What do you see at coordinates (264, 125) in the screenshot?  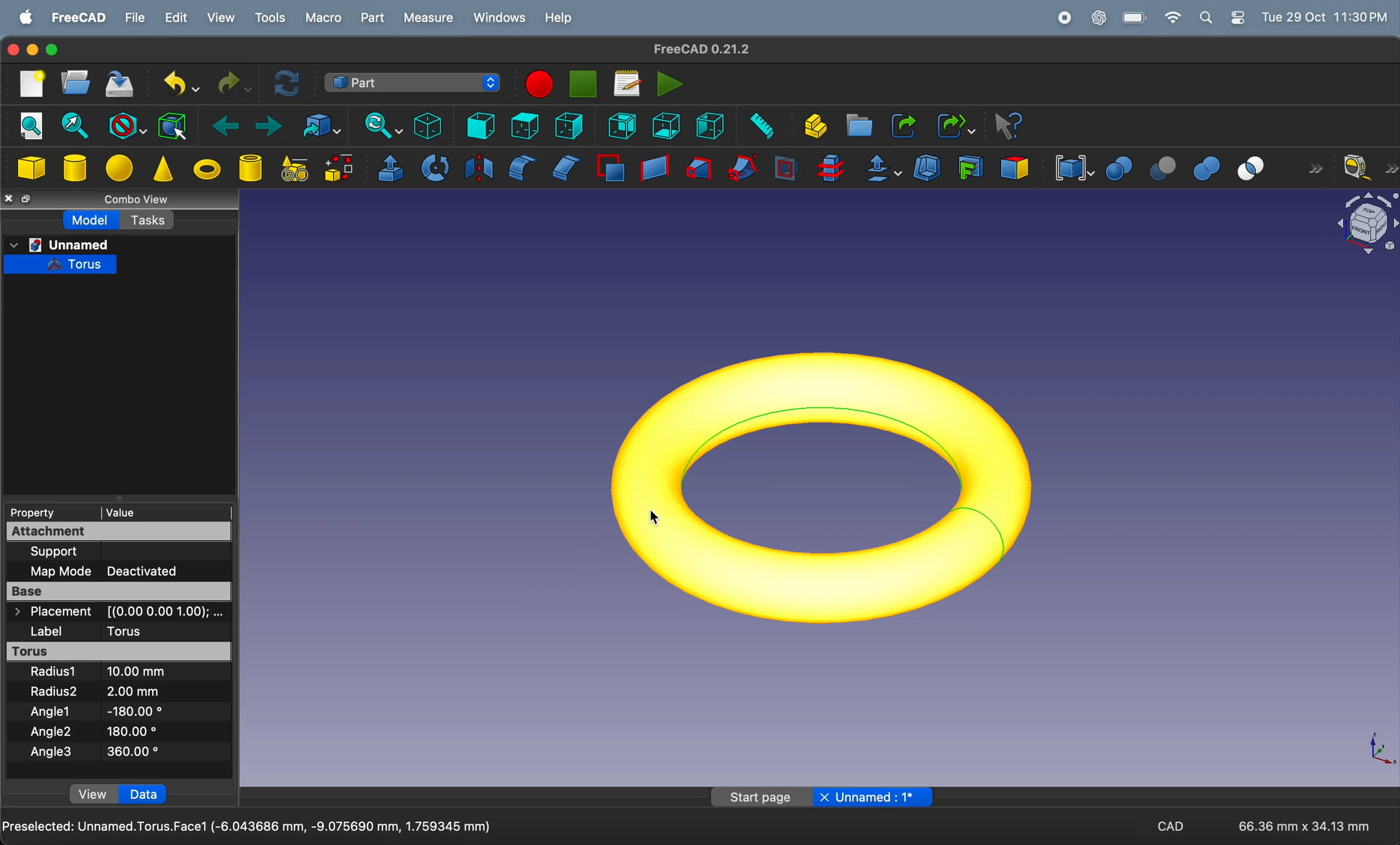 I see `forward ` at bounding box center [264, 125].